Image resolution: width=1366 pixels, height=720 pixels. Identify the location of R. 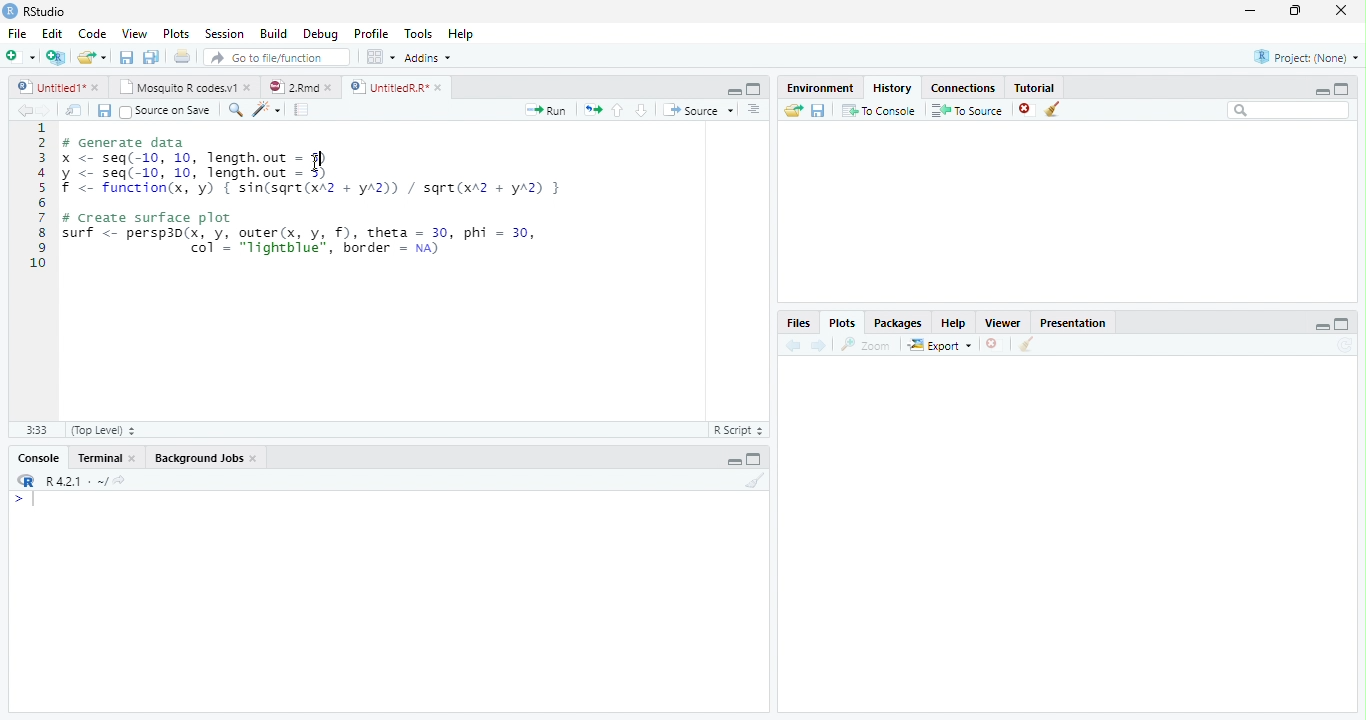
(24, 480).